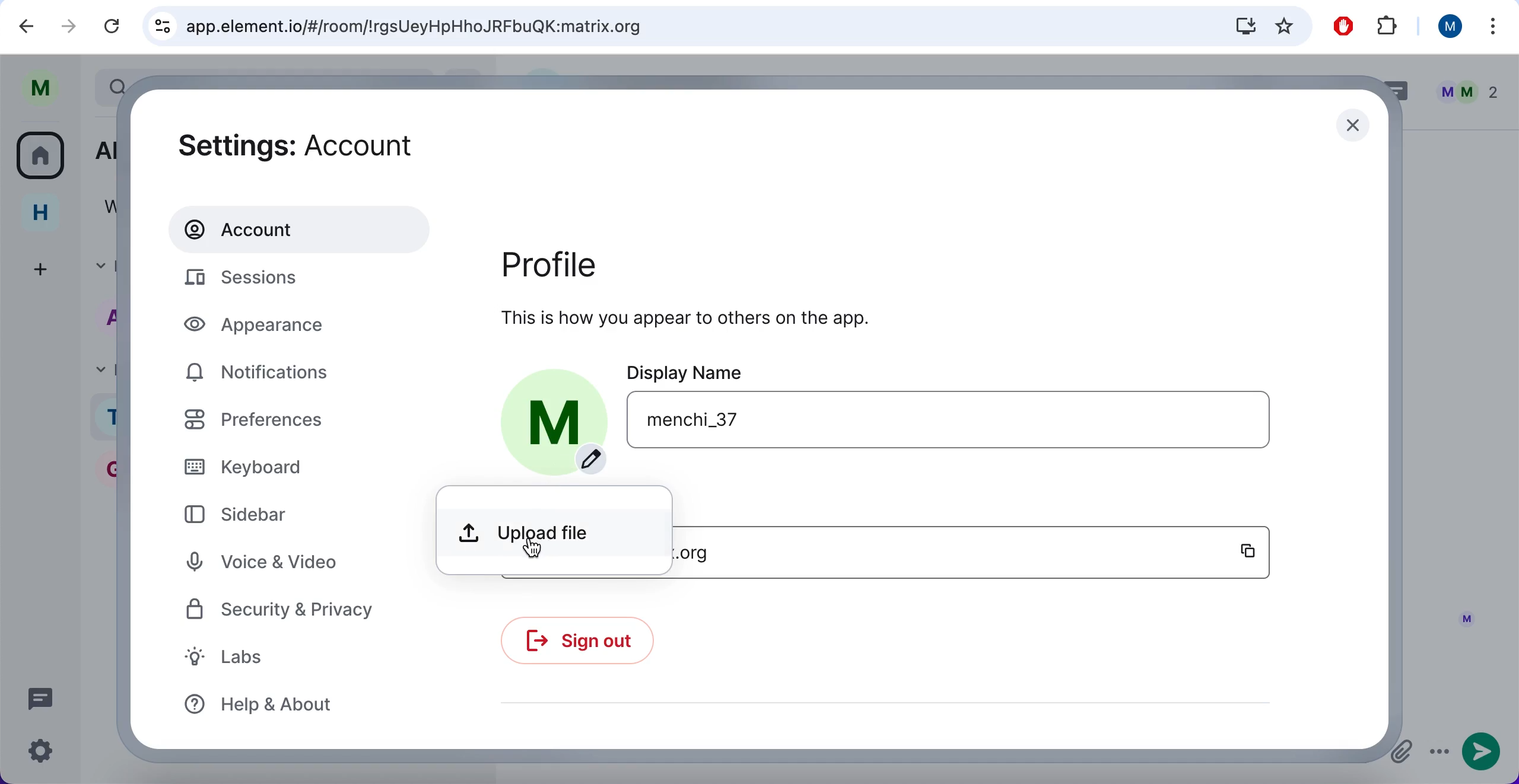 Image resolution: width=1519 pixels, height=784 pixels. Describe the element at coordinates (757, 321) in the screenshot. I see `this is how you appear to others on the app` at that location.